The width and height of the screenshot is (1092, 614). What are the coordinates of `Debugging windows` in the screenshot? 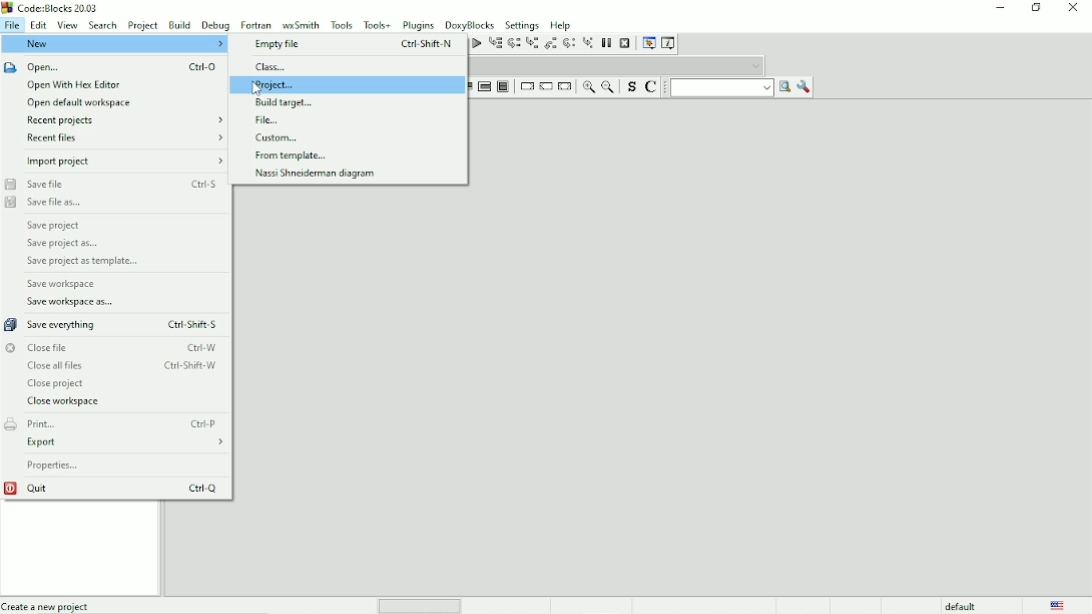 It's located at (648, 43).